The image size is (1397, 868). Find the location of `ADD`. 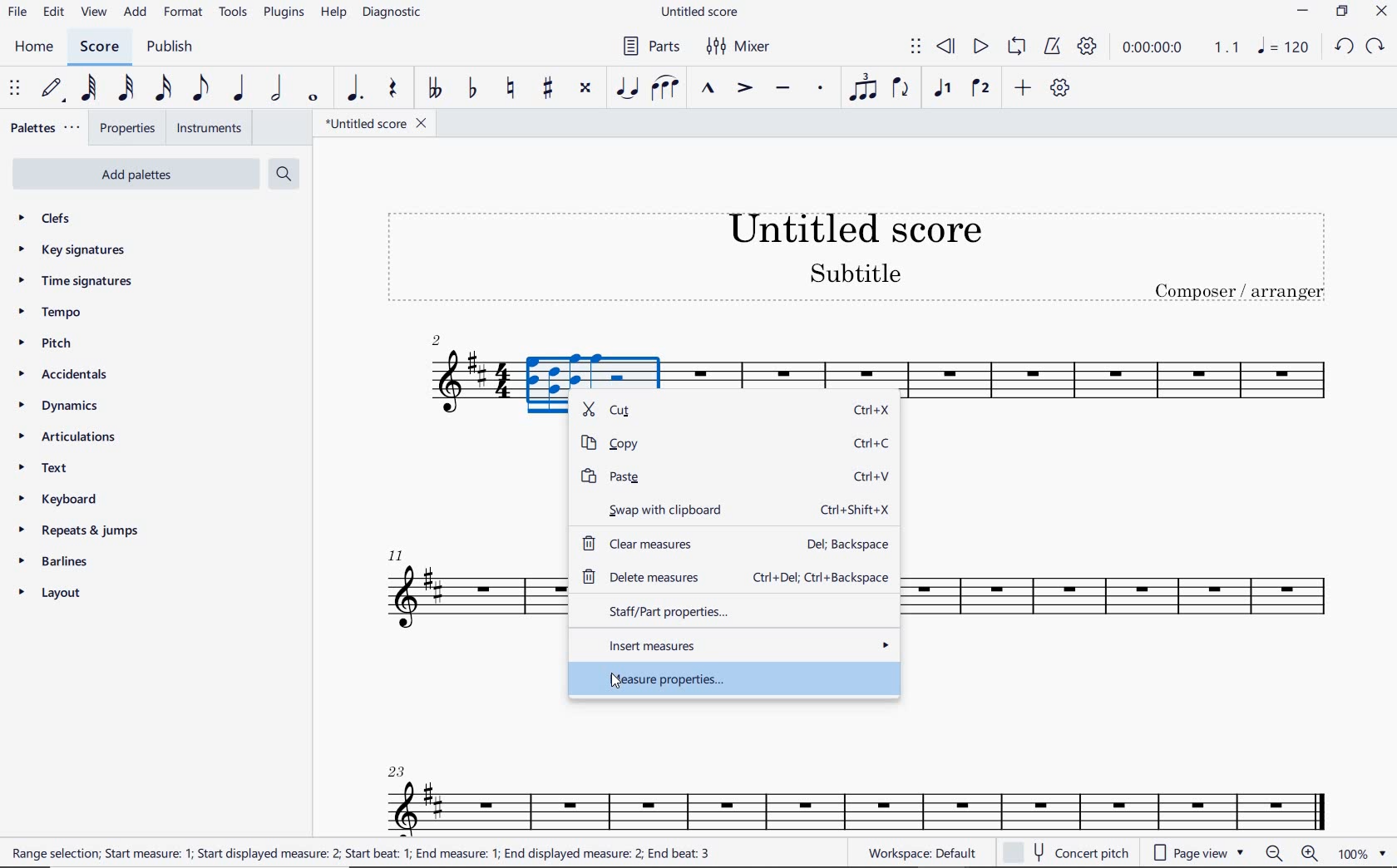

ADD is located at coordinates (136, 13).